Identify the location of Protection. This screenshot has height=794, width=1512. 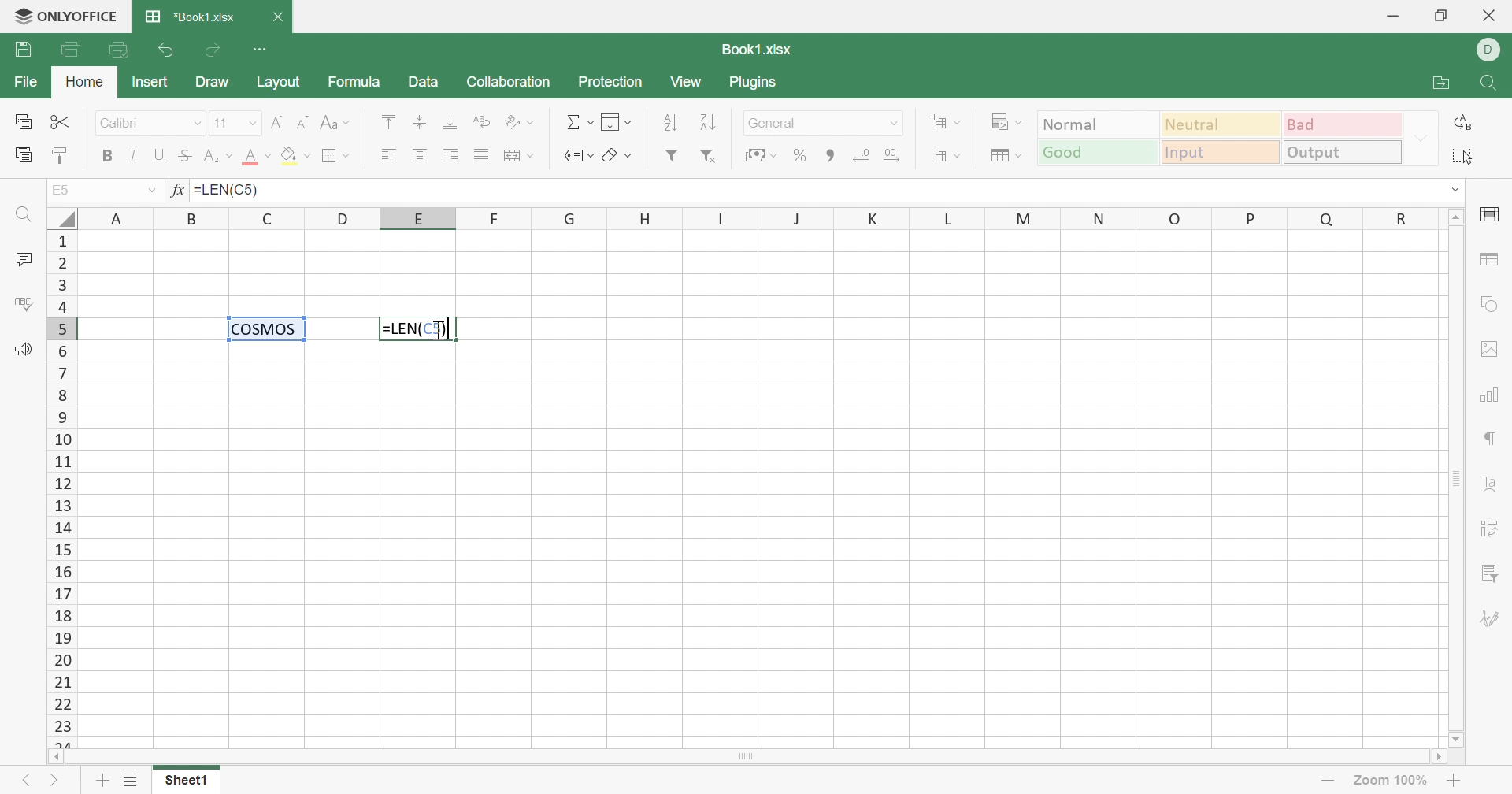
(613, 84).